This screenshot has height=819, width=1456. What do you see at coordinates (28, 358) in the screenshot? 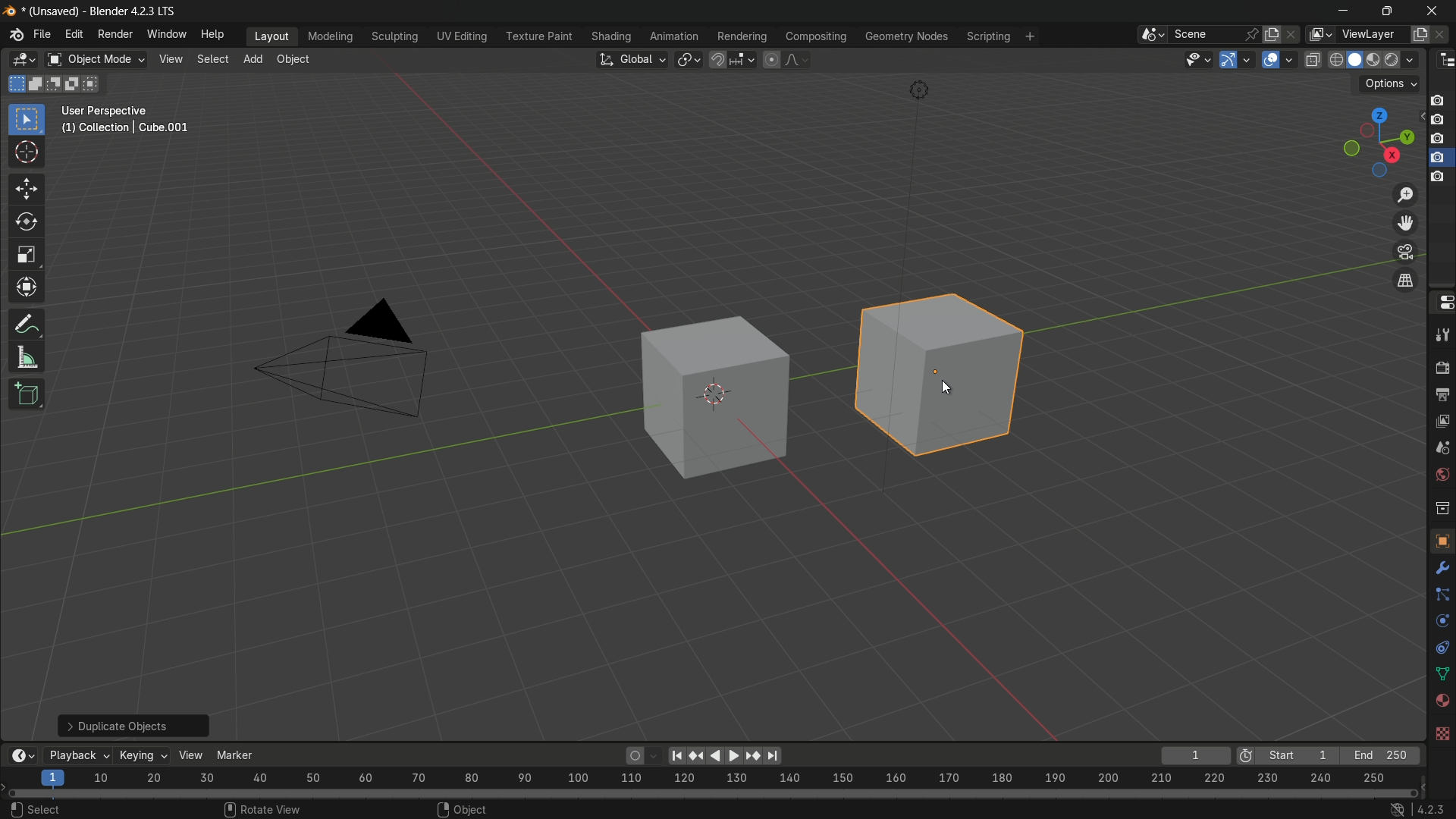
I see `measure` at bounding box center [28, 358].